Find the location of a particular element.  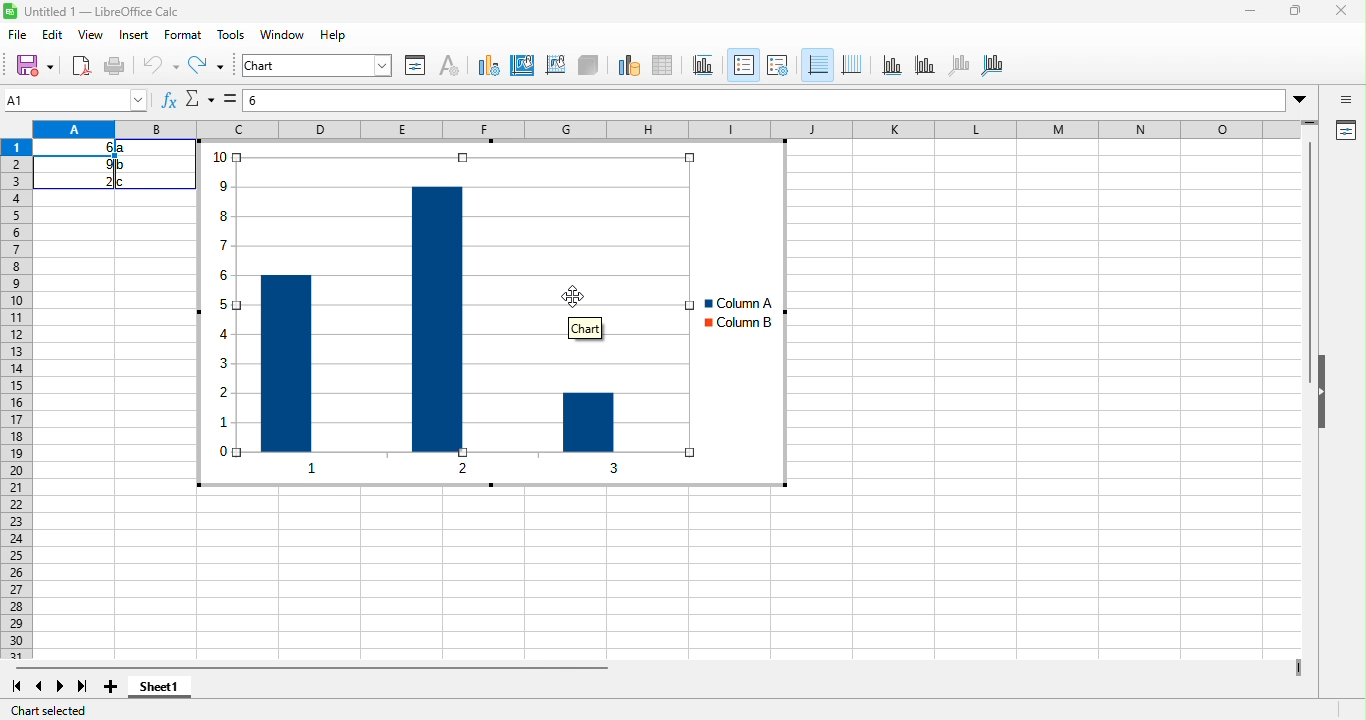

Z axis is located at coordinates (958, 65).